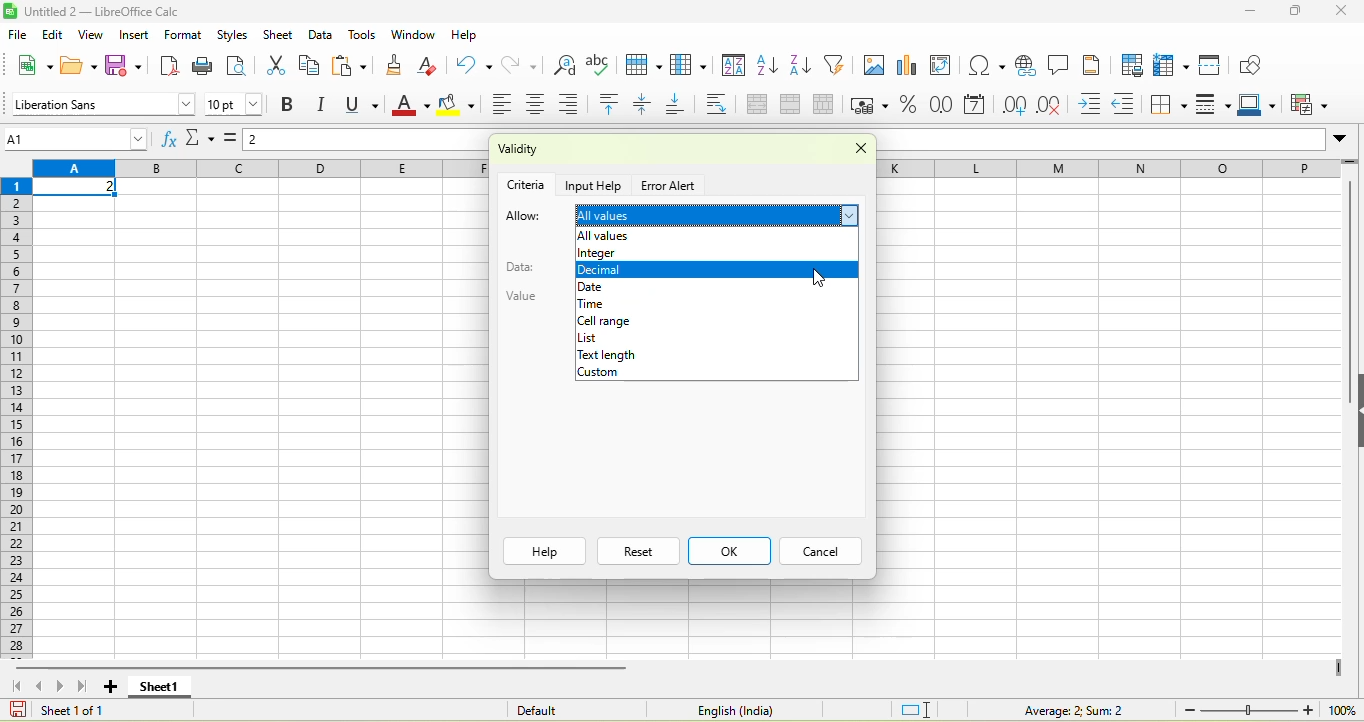  I want to click on scroll to previous sheet, so click(41, 686).